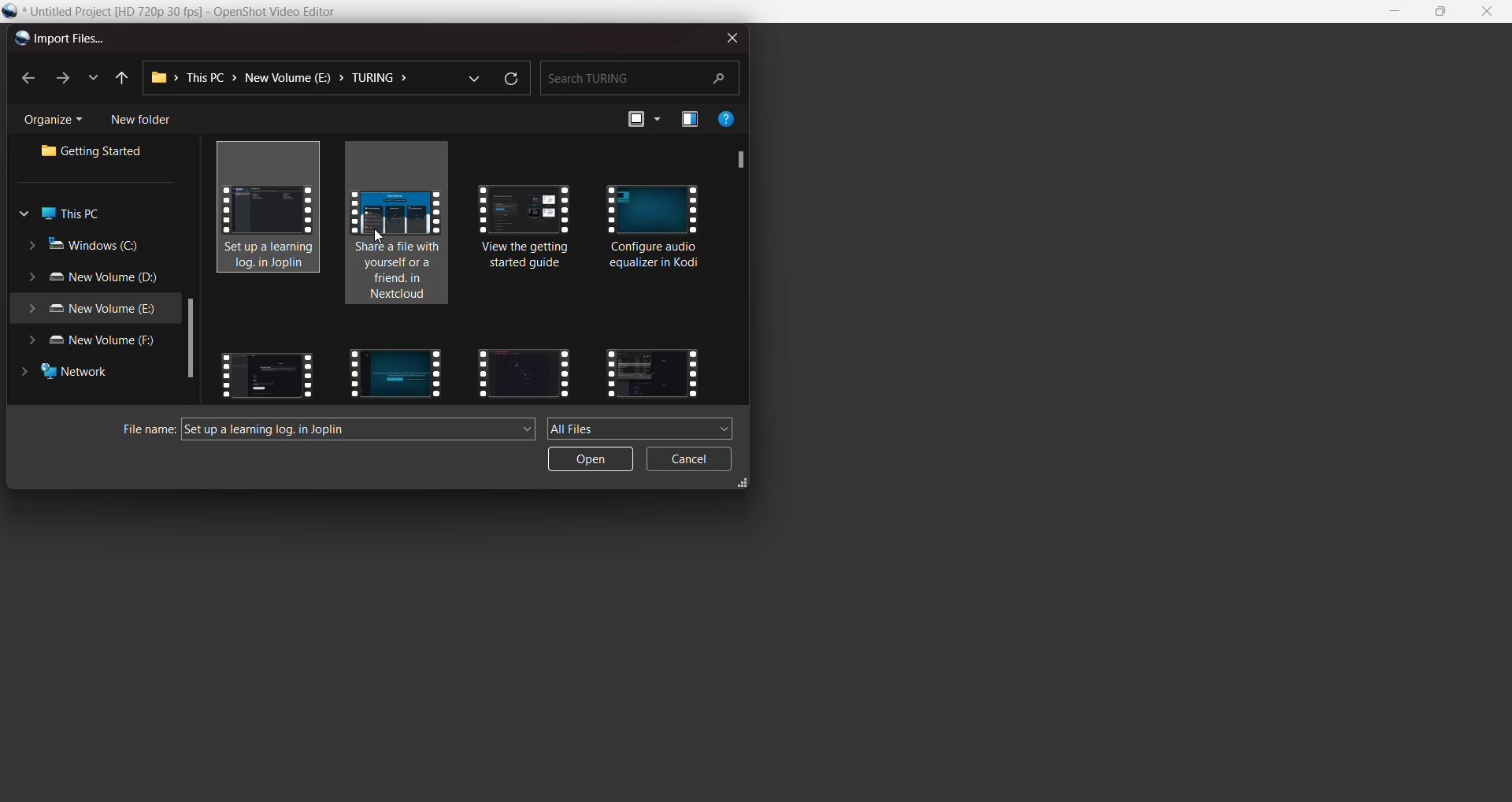 The height and width of the screenshot is (802, 1512). I want to click on list, so click(91, 76).